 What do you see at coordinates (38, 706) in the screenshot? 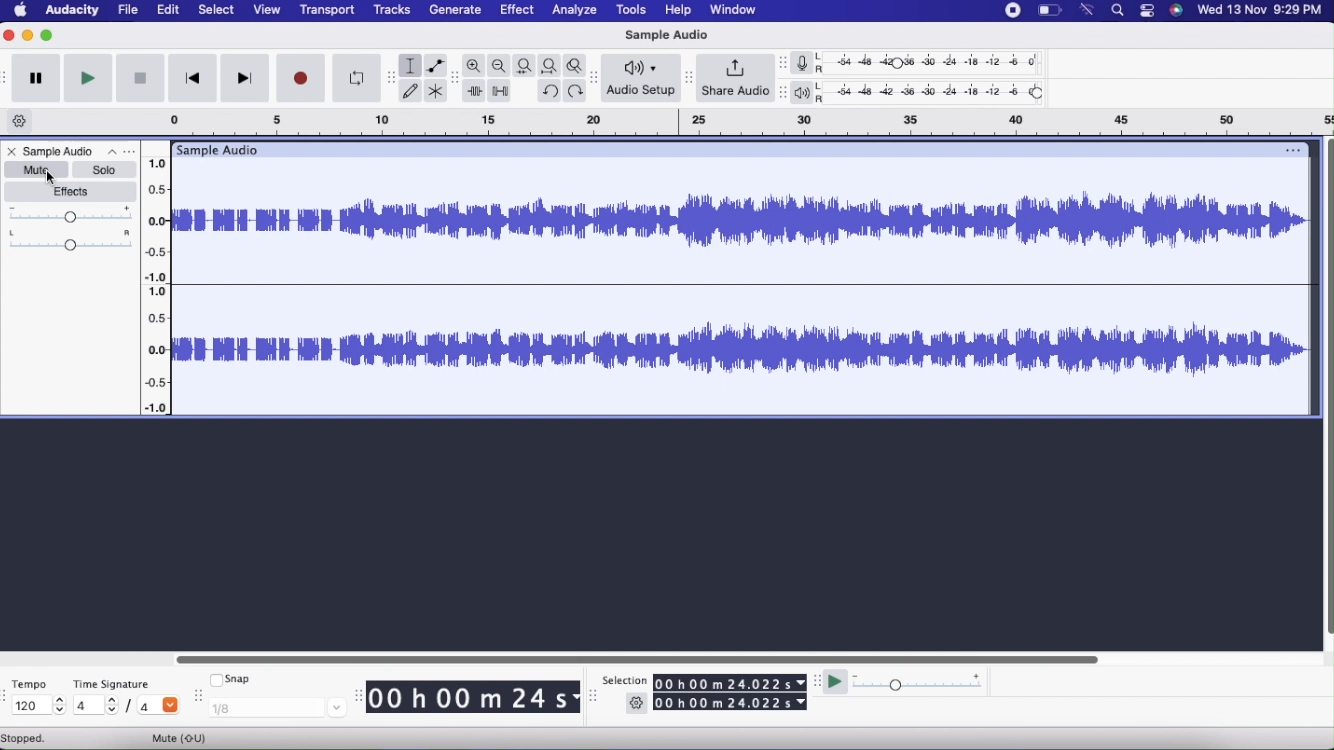
I see `120` at bounding box center [38, 706].